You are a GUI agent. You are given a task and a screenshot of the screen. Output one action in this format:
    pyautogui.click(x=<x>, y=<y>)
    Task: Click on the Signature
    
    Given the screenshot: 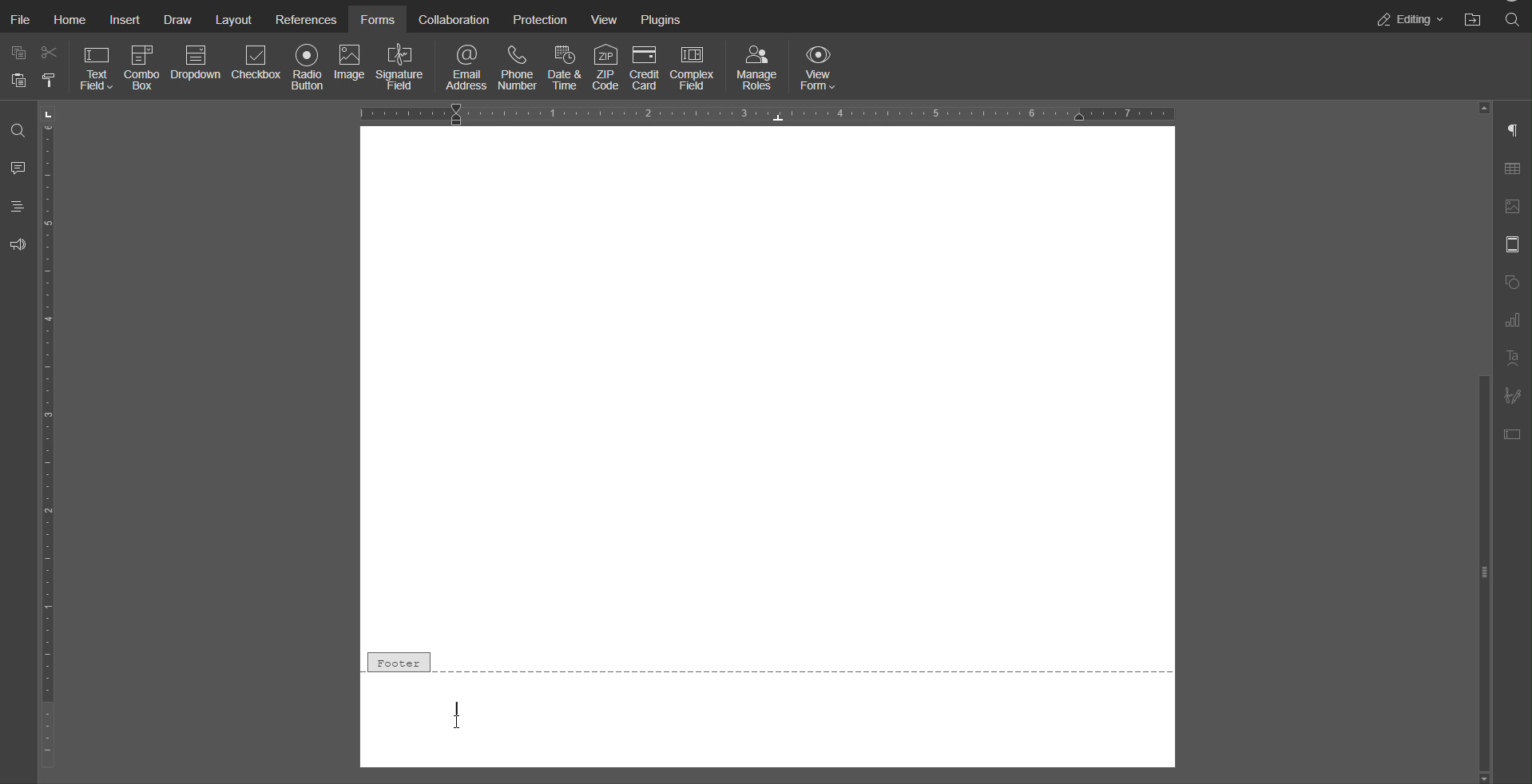 What is the action you would take?
    pyautogui.click(x=1513, y=395)
    